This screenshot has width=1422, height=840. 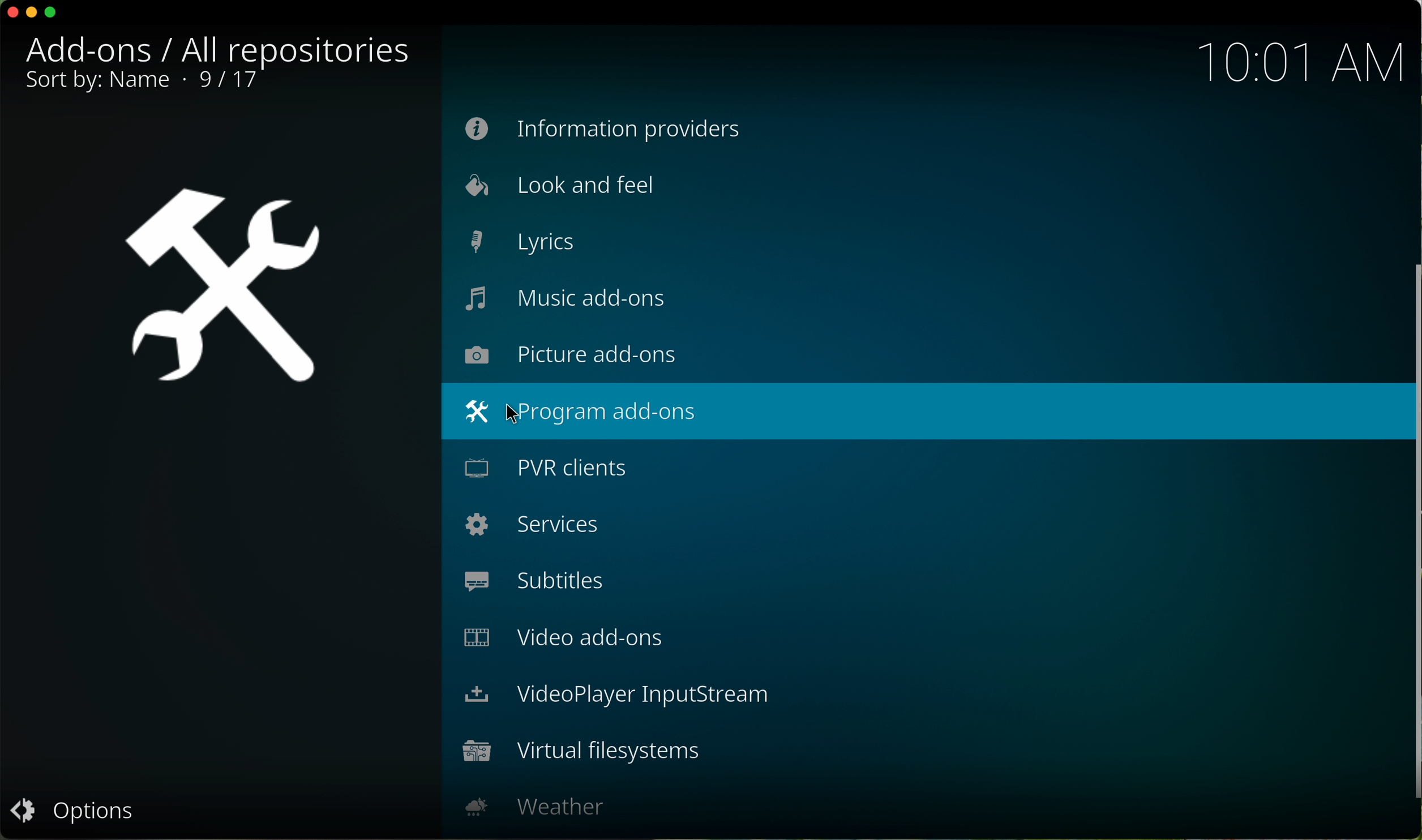 I want to click on information providers, so click(x=603, y=129).